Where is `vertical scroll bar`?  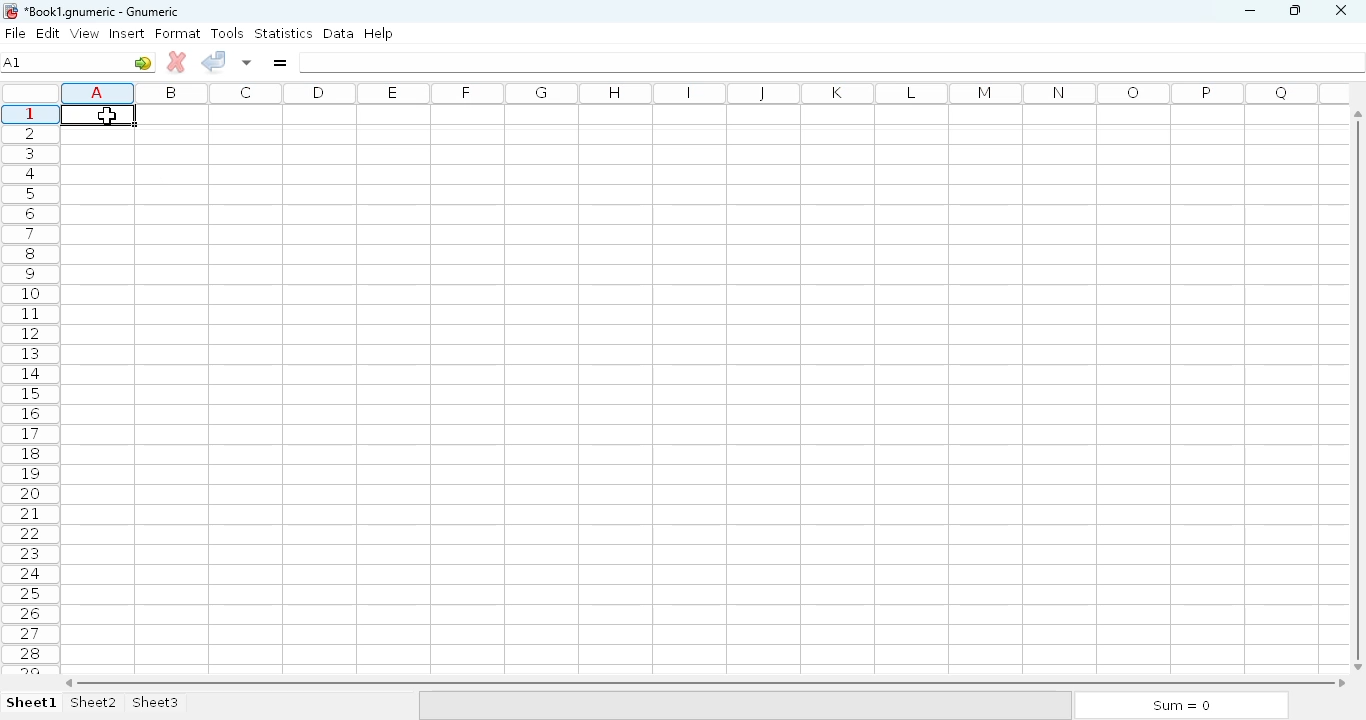
vertical scroll bar is located at coordinates (1361, 389).